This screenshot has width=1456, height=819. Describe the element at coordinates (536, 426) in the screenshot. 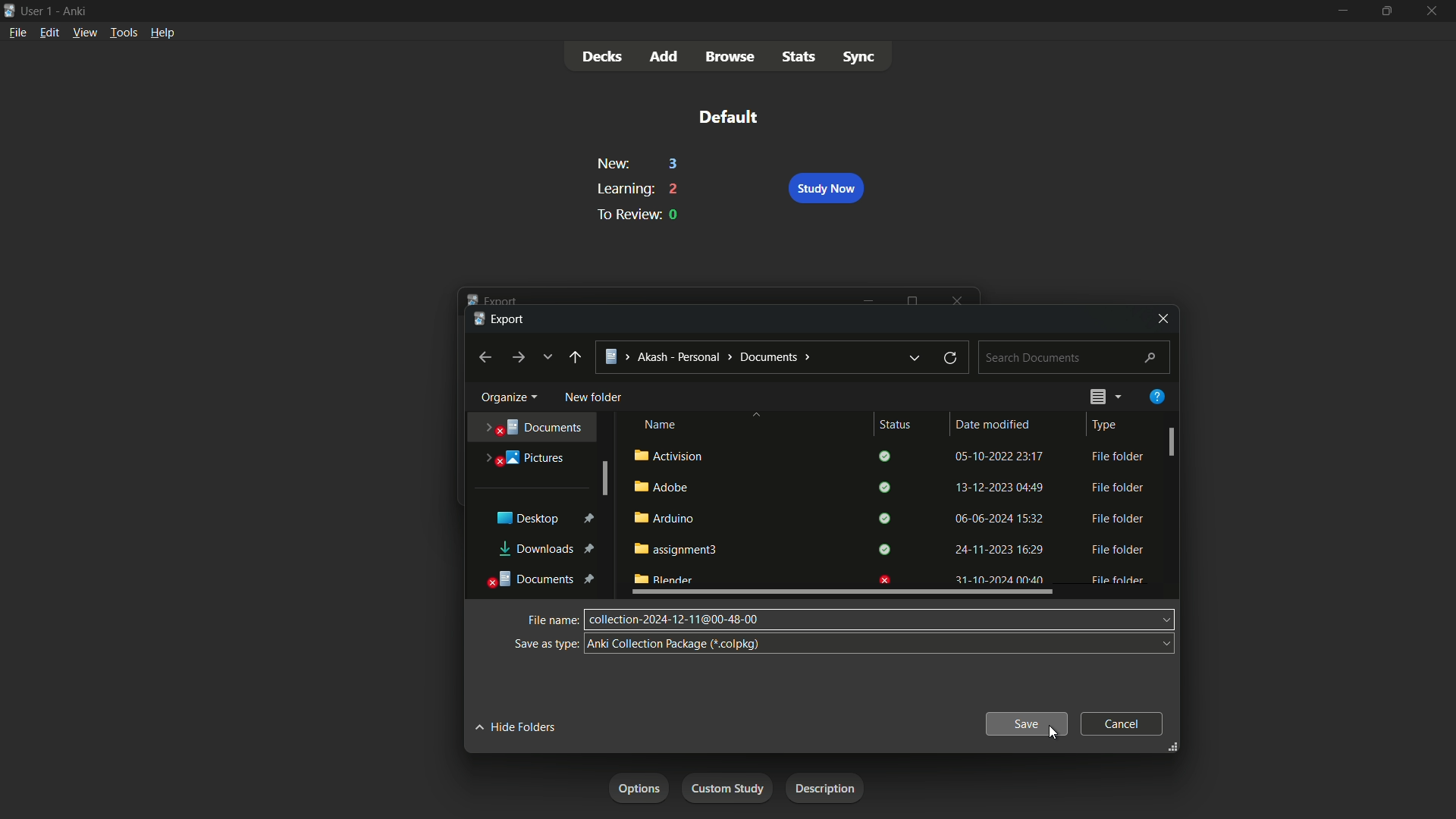

I see `documents` at that location.